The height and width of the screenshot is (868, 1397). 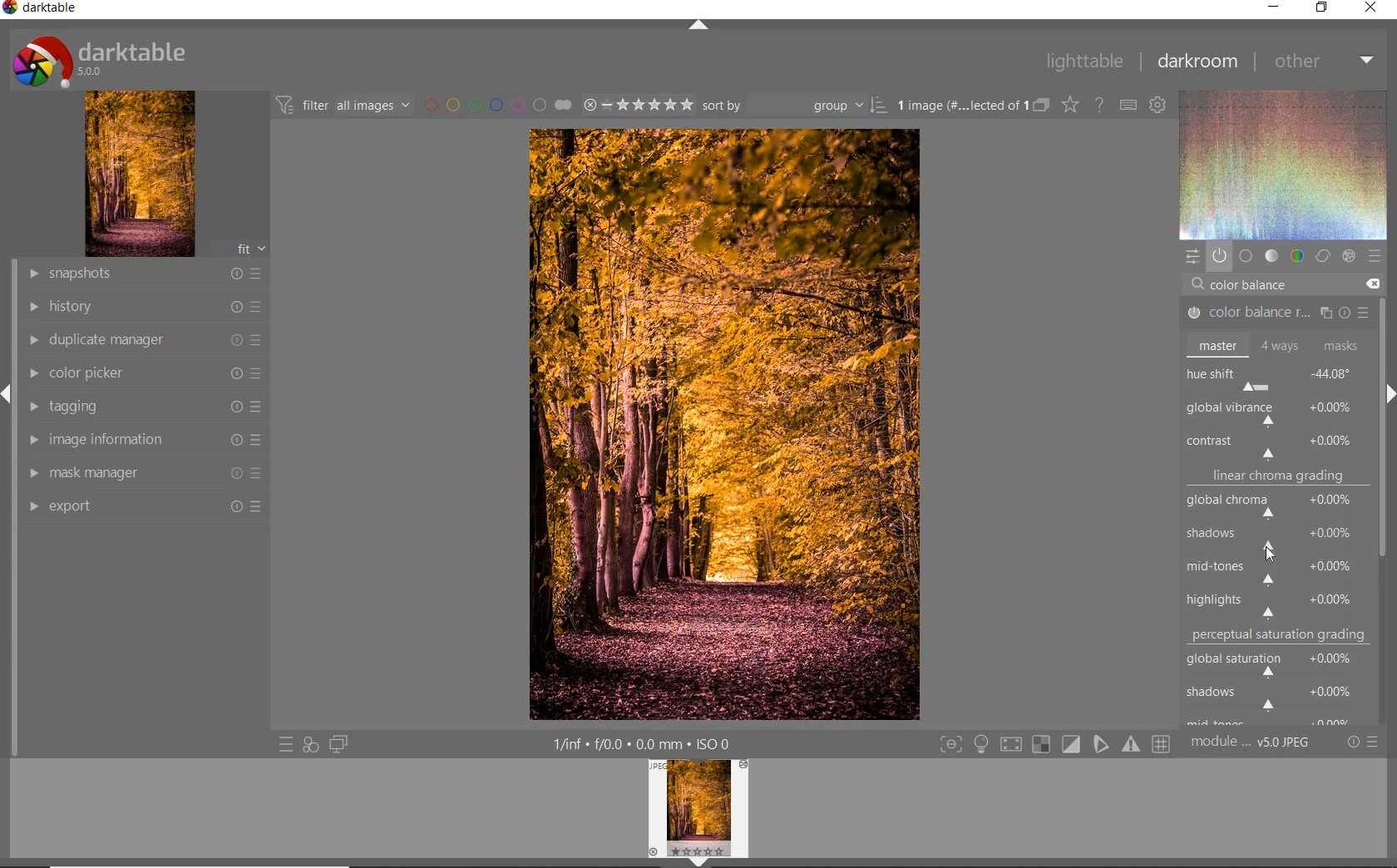 I want to click on other, so click(x=1325, y=62).